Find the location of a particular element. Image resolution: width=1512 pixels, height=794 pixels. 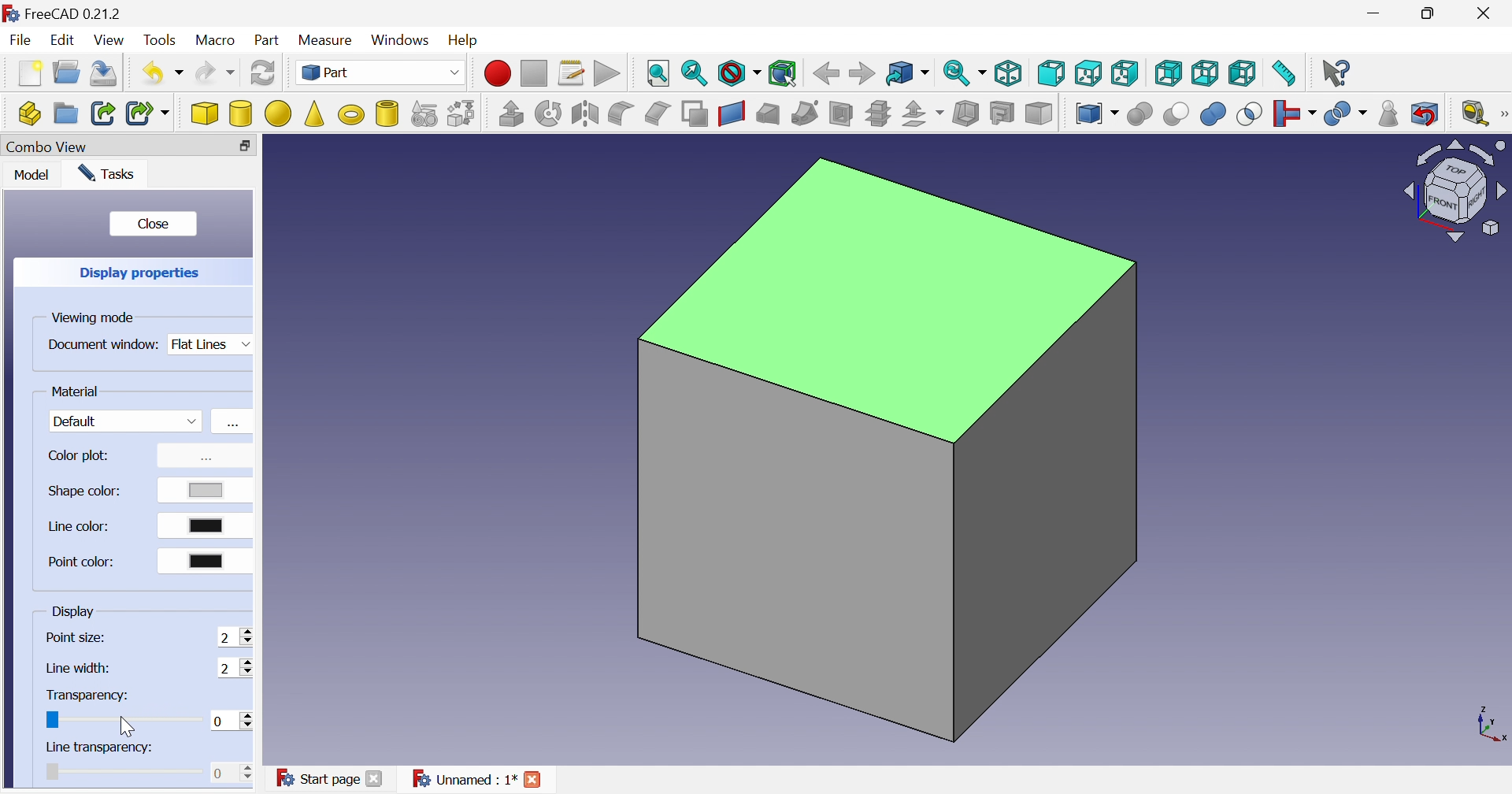

Cut is located at coordinates (1179, 115).